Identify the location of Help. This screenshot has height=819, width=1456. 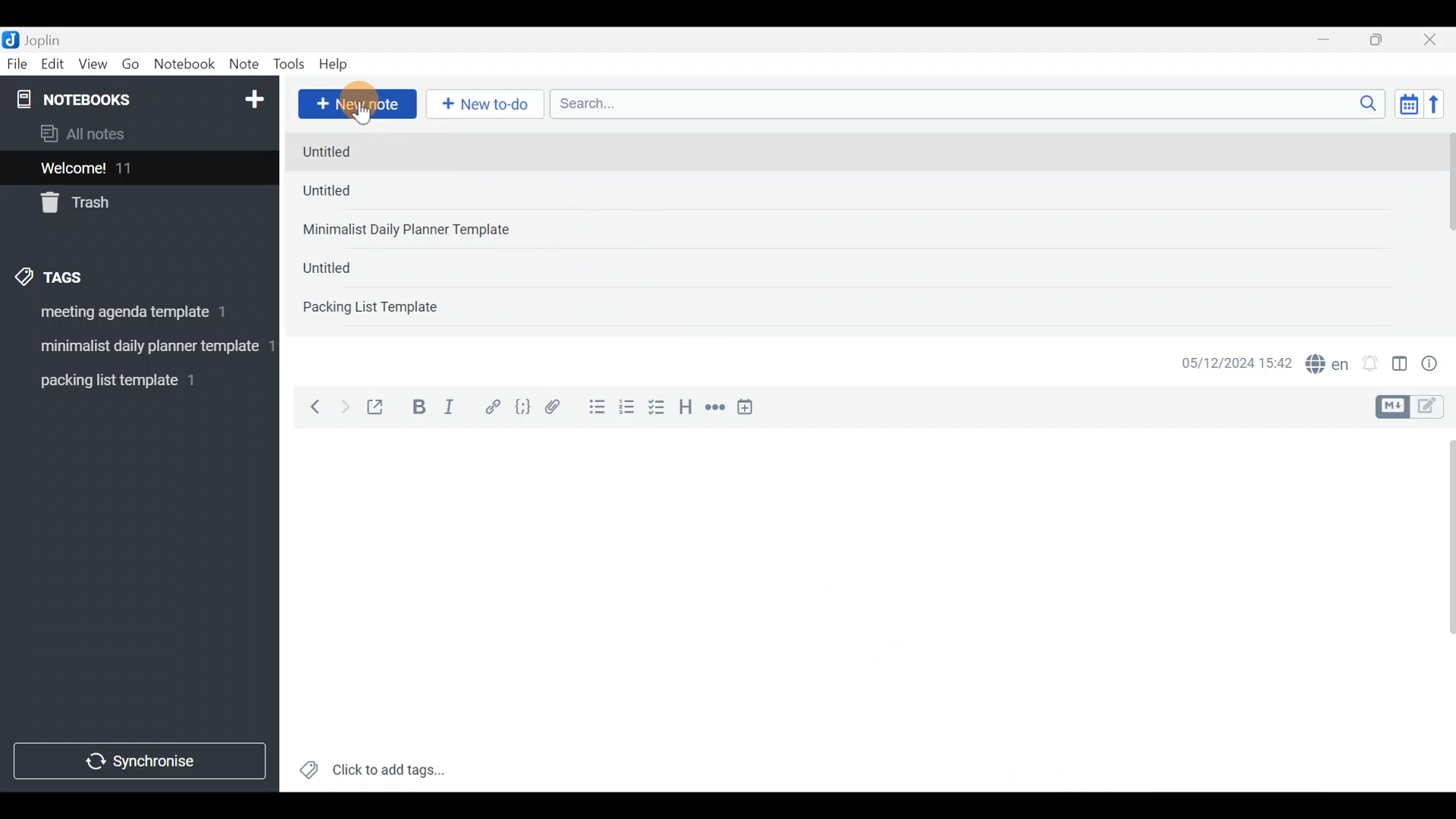
(339, 61).